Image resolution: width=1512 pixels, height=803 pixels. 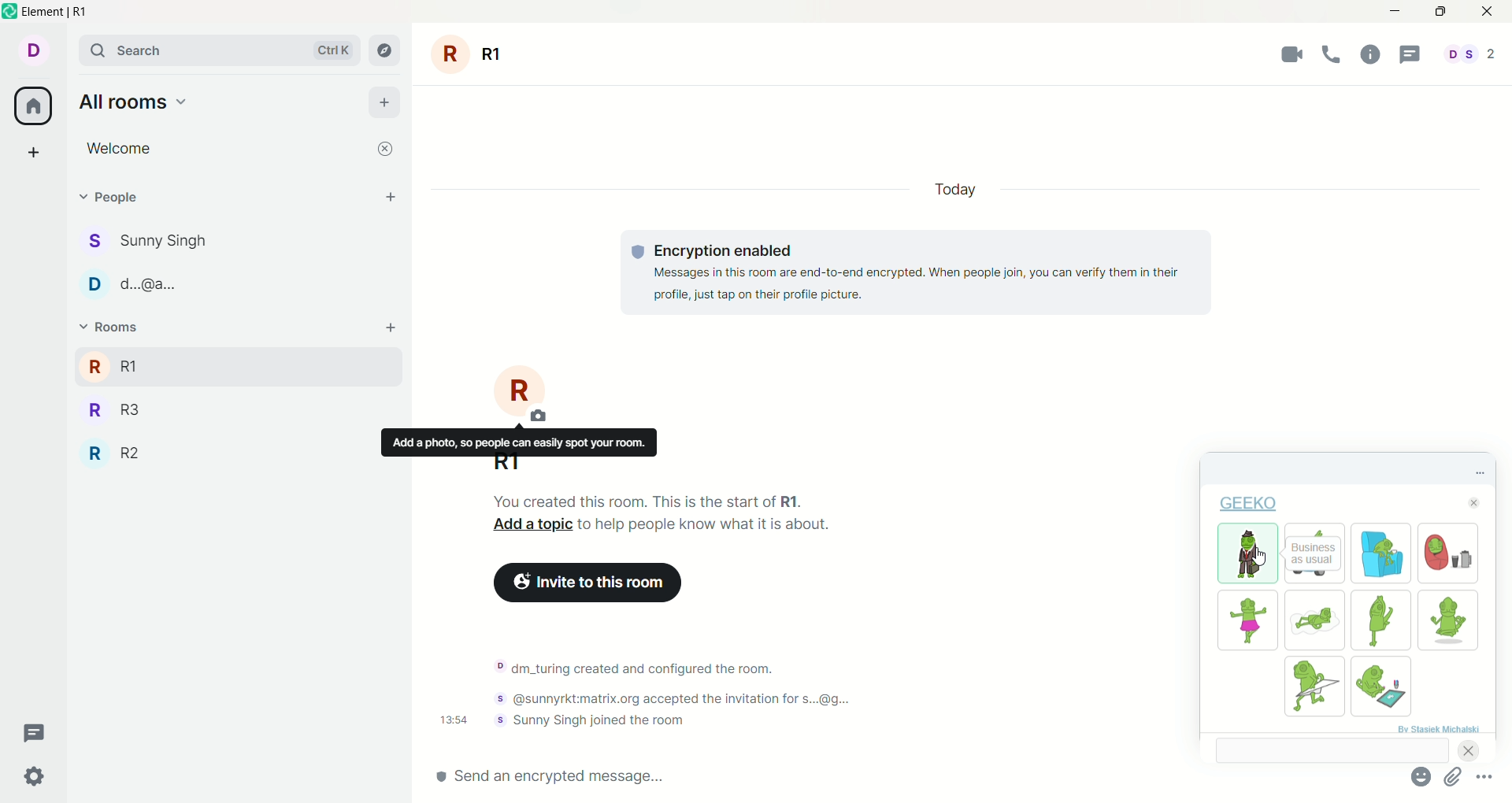 I want to click on d...@a... chat, so click(x=132, y=284).